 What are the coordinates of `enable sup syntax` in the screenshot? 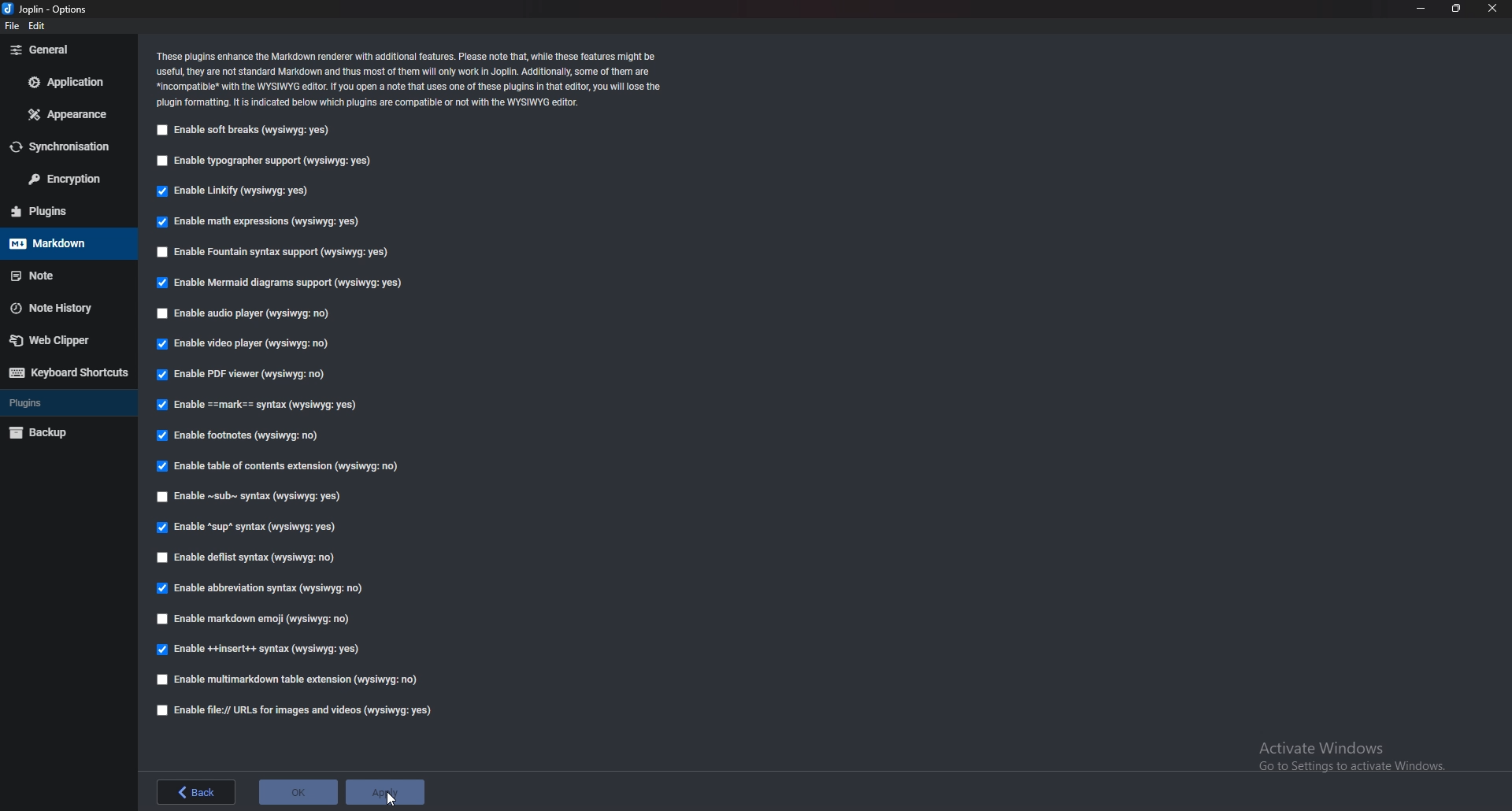 It's located at (247, 526).